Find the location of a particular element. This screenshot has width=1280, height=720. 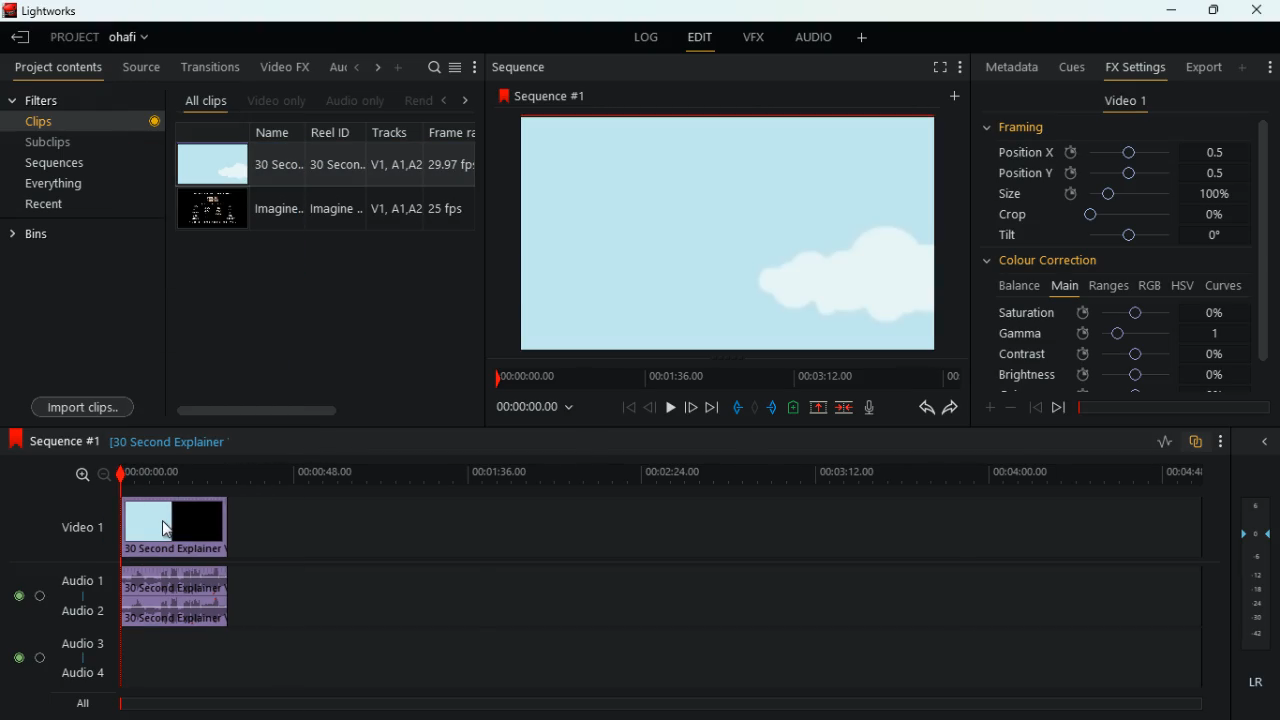

video 1 is located at coordinates (1123, 102).